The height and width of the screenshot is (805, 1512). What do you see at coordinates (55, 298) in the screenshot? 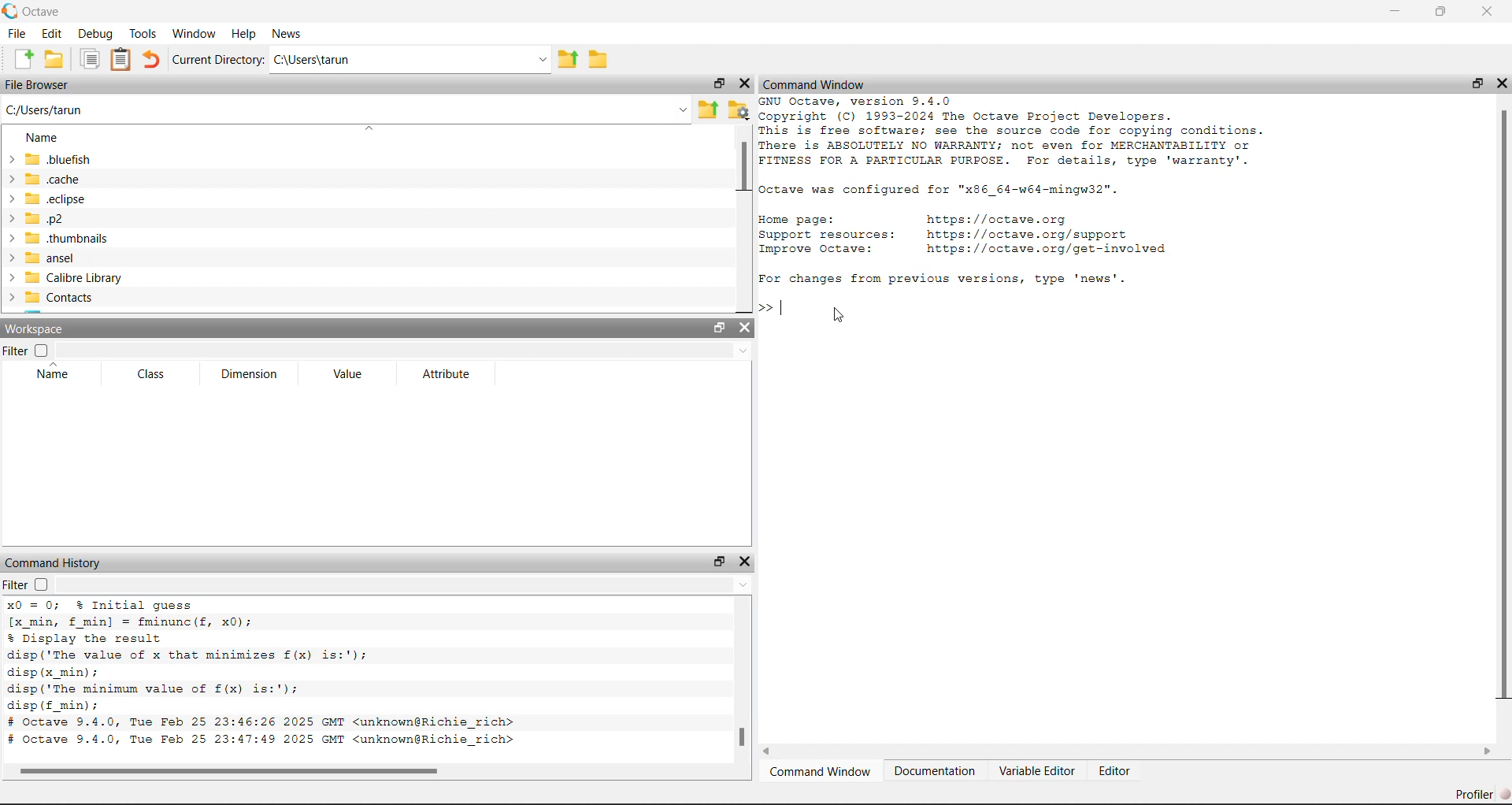
I see `> Contacts` at bounding box center [55, 298].